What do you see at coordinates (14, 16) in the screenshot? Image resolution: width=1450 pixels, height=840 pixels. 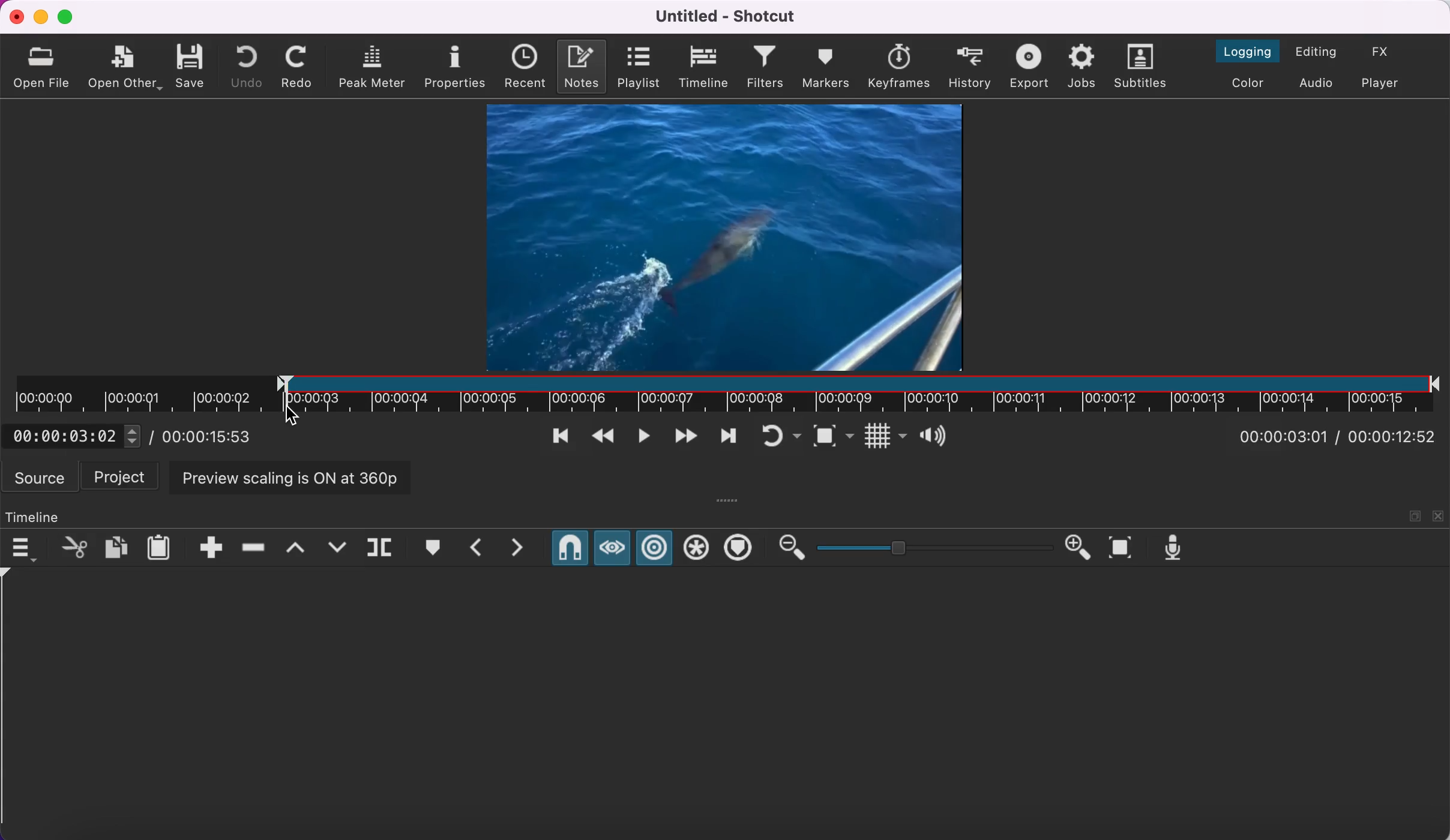 I see `close` at bounding box center [14, 16].